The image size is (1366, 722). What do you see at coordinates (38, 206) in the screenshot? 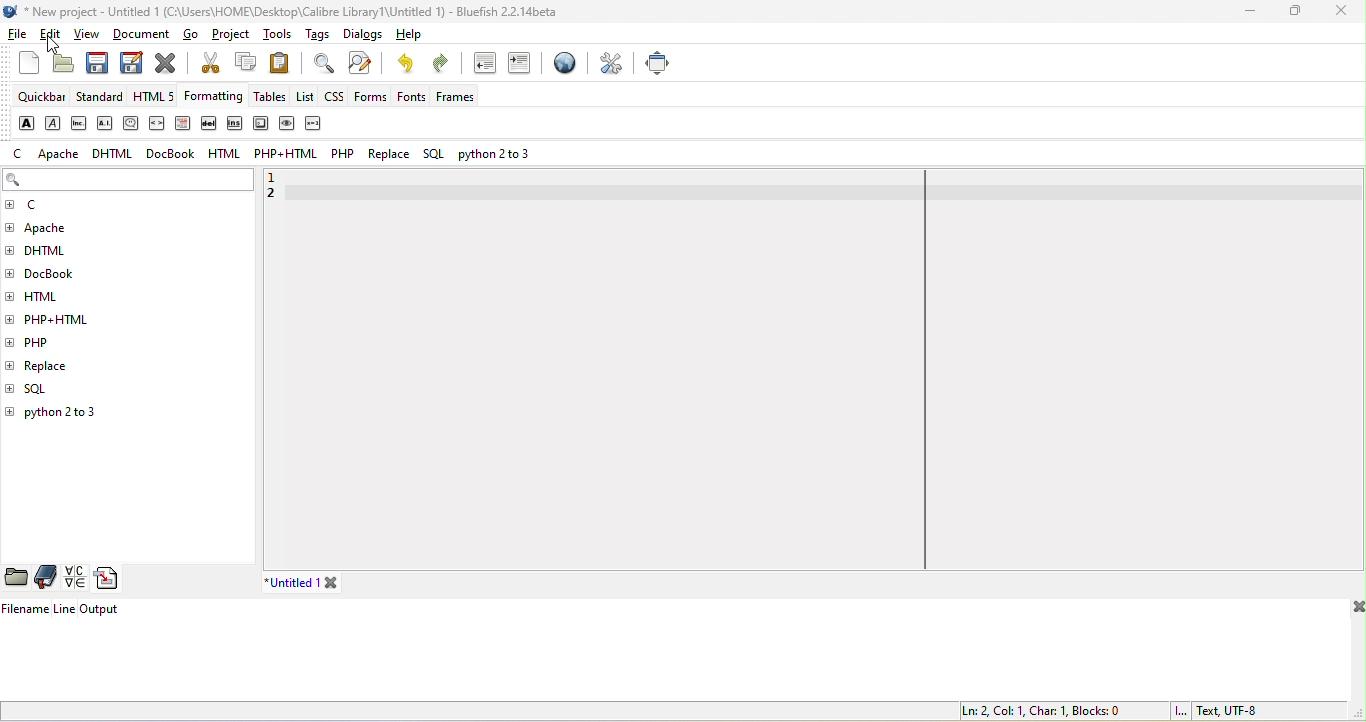
I see `c` at bounding box center [38, 206].